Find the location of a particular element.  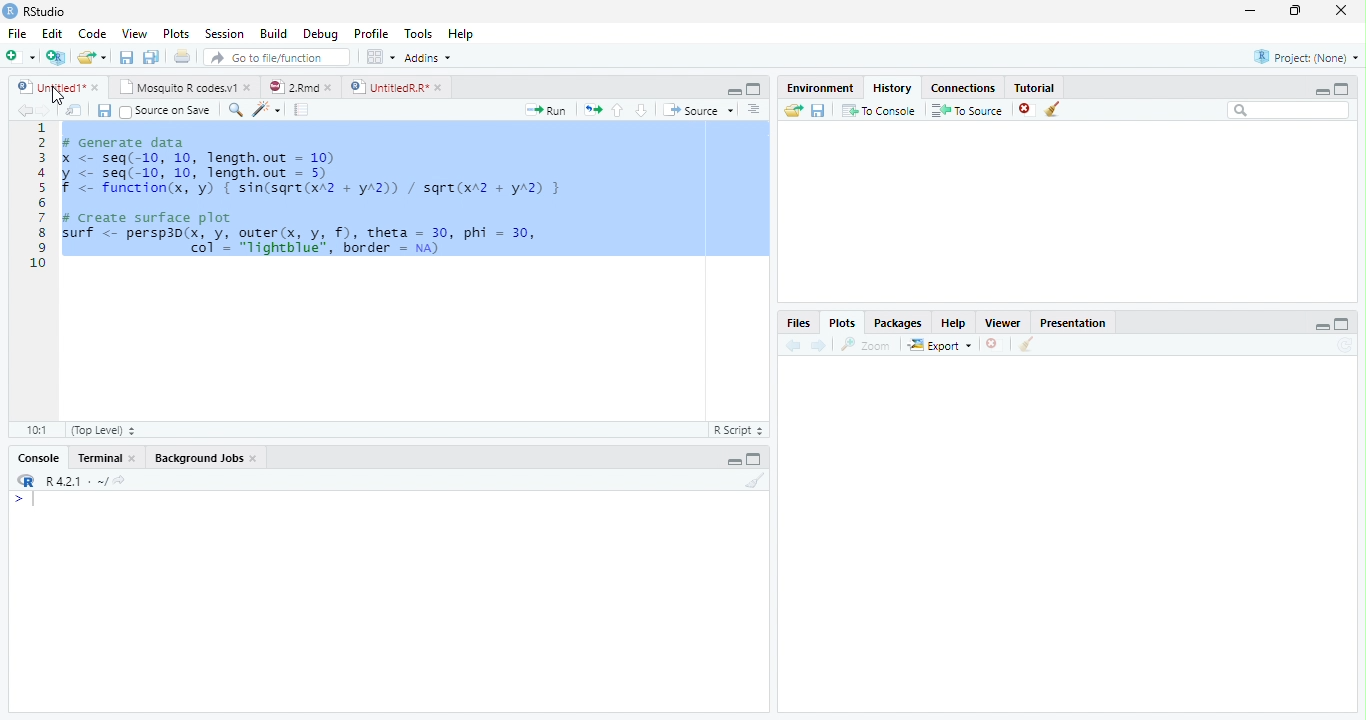

Session is located at coordinates (223, 34).